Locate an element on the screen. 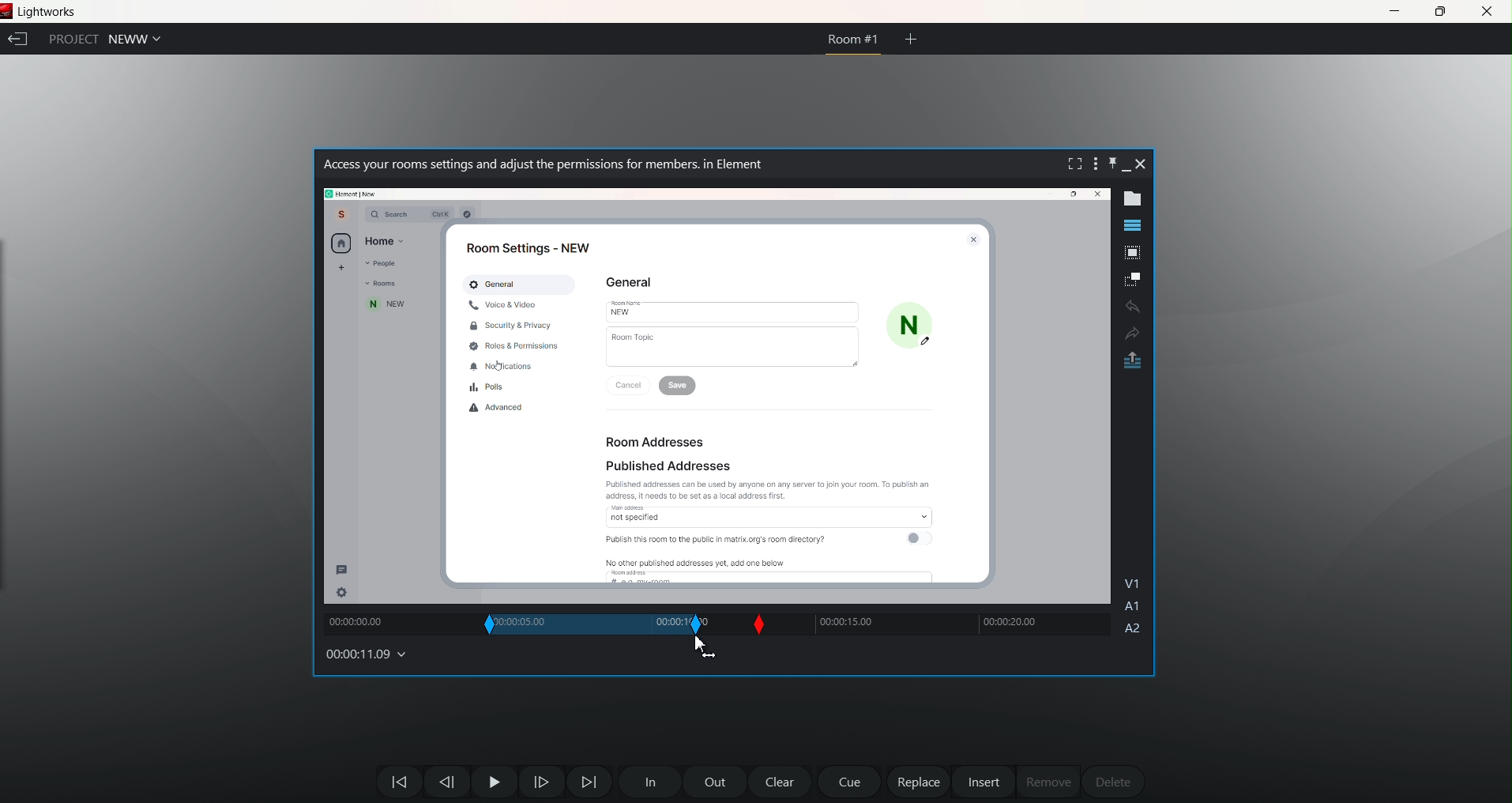 This screenshot has width=1512, height=803. access not specified is located at coordinates (774, 513).